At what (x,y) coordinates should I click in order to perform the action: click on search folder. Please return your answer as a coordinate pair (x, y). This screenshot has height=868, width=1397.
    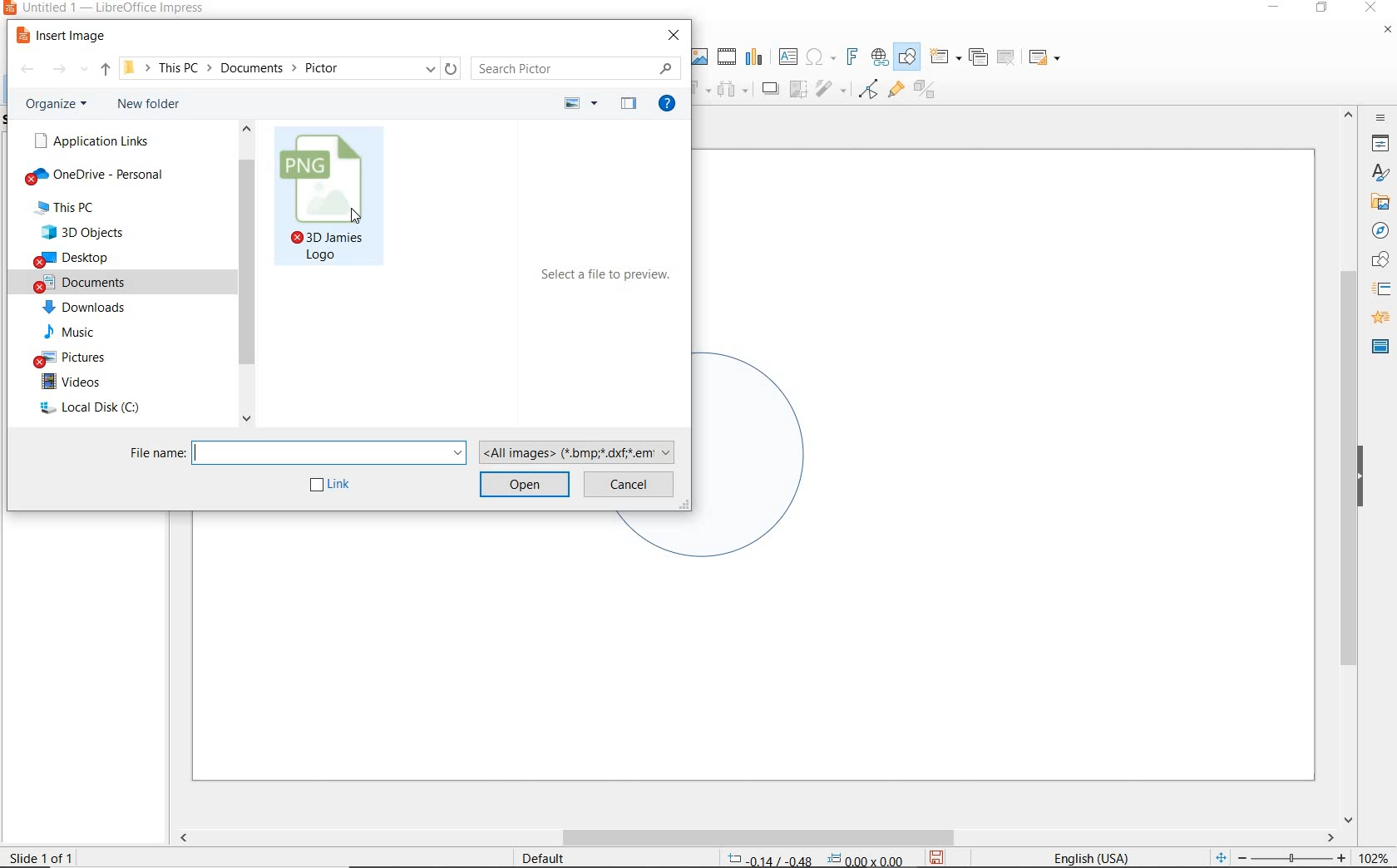
    Looking at the image, I should click on (576, 68).